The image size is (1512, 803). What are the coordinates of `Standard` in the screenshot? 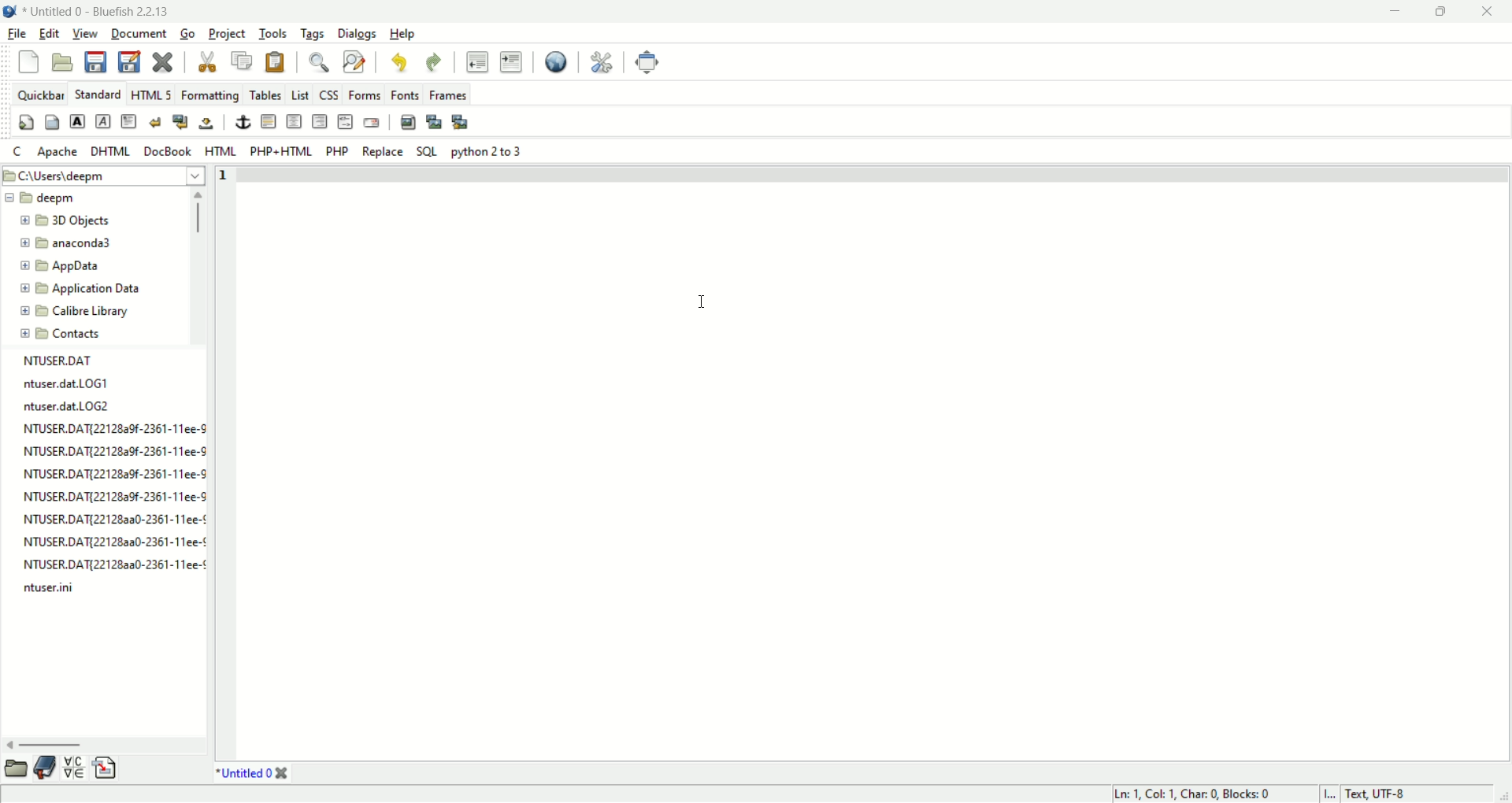 It's located at (98, 93).